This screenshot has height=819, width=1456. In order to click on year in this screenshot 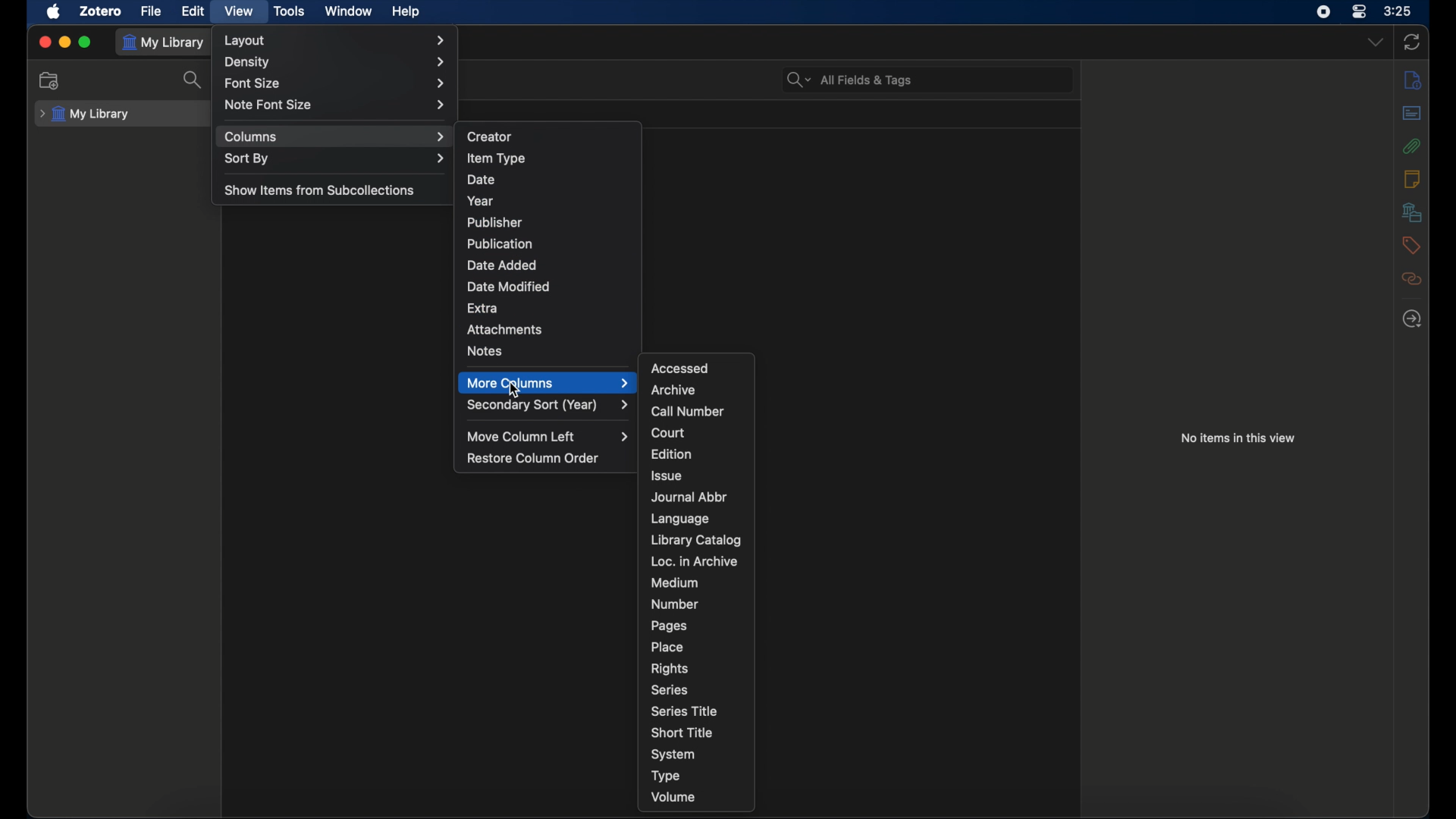, I will do `click(481, 201)`.